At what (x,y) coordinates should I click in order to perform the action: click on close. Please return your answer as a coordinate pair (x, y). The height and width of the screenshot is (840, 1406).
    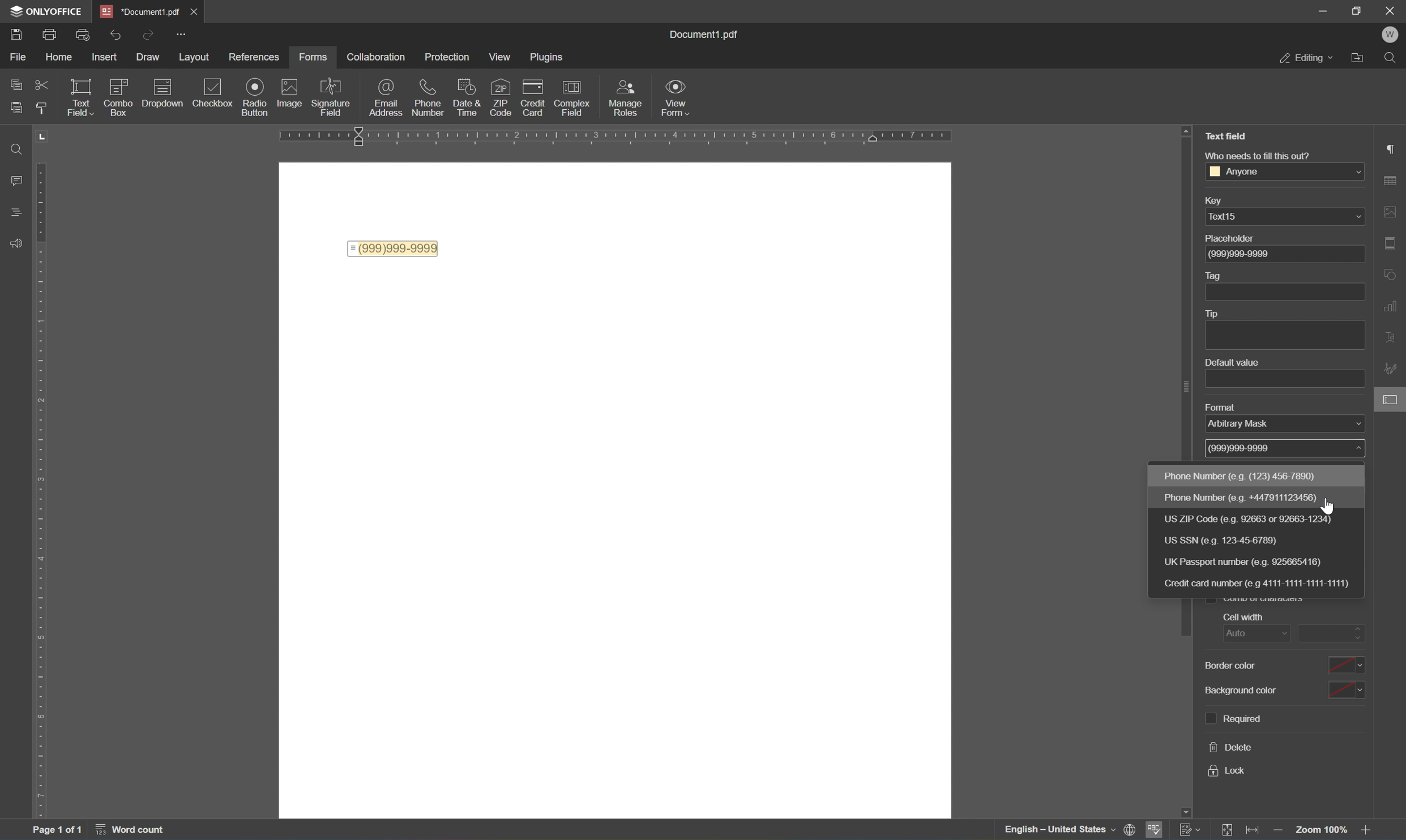
    Looking at the image, I should click on (1391, 10).